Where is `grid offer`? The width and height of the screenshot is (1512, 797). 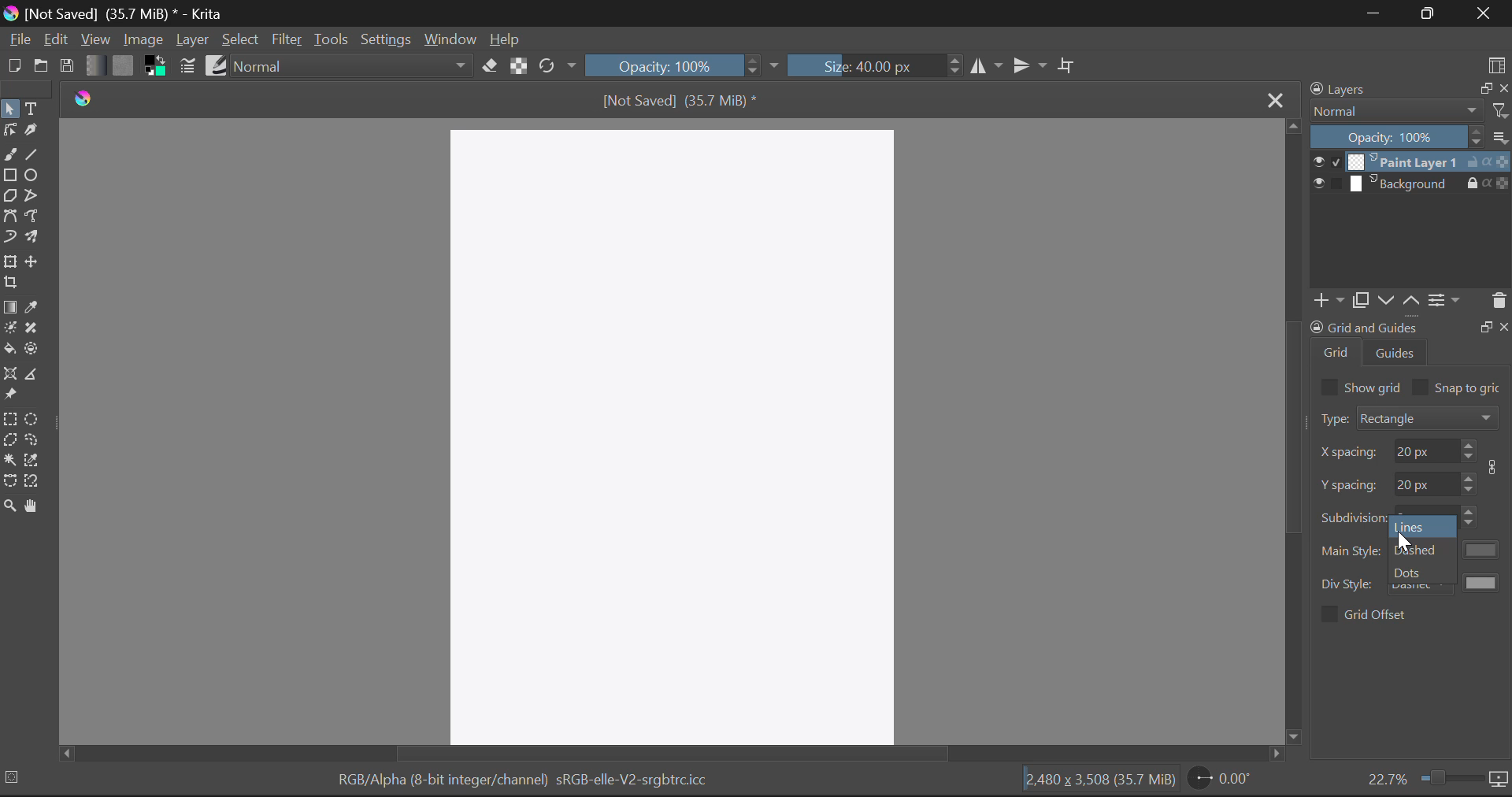 grid offer is located at coordinates (1377, 614).